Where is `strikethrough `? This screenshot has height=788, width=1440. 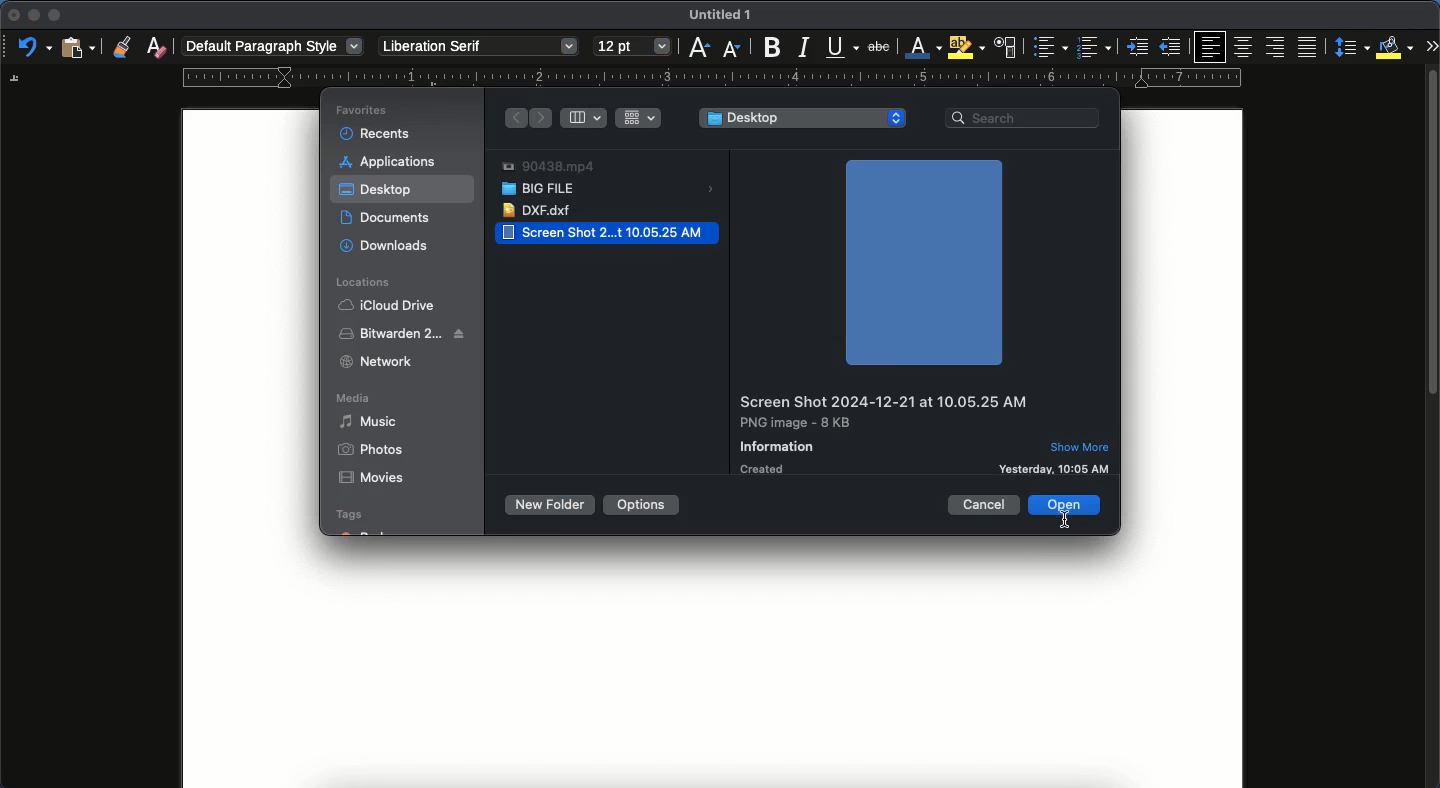 strikethrough  is located at coordinates (879, 46).